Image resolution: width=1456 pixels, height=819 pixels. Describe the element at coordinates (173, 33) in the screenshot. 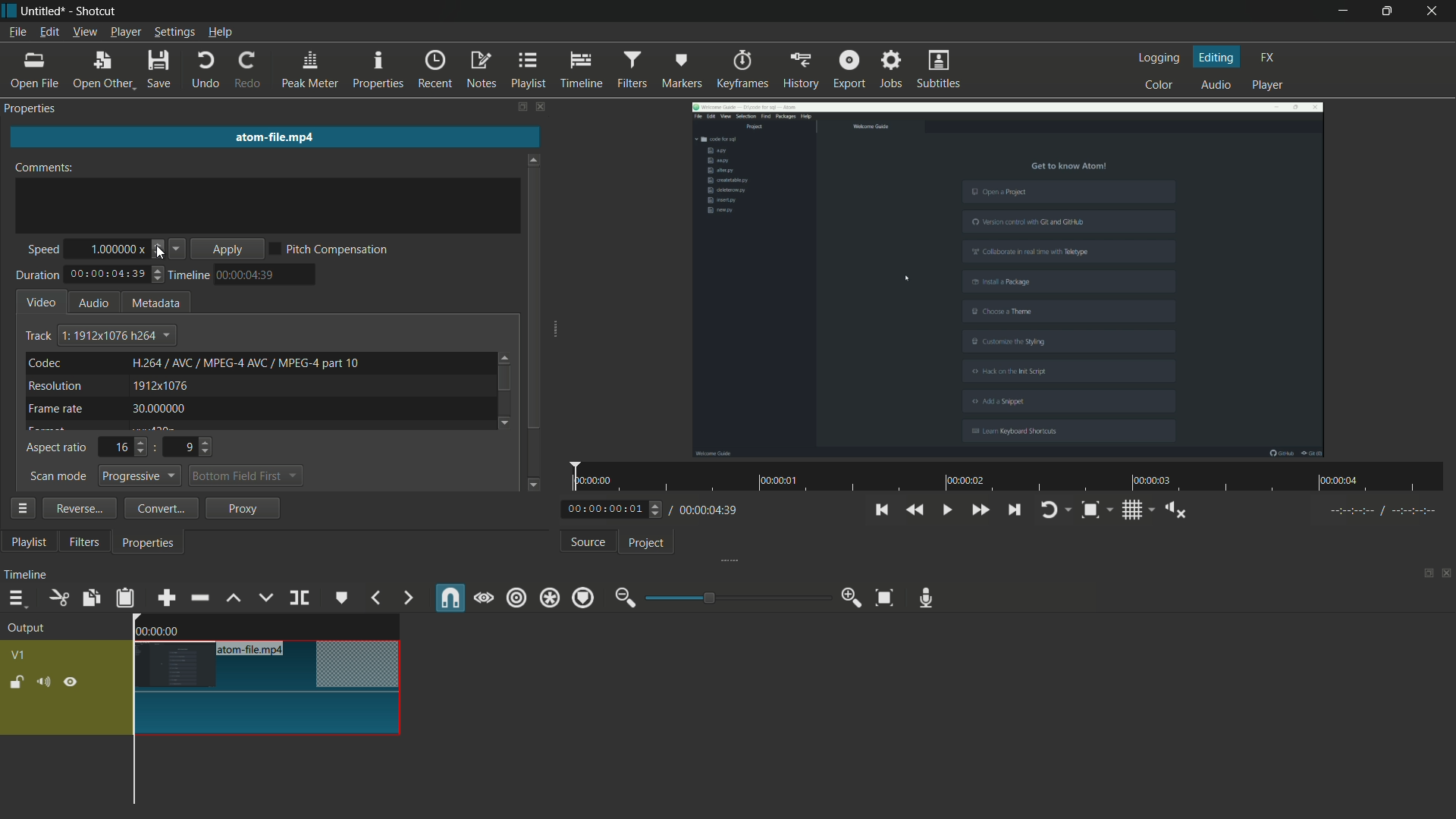

I see `settings menu` at that location.